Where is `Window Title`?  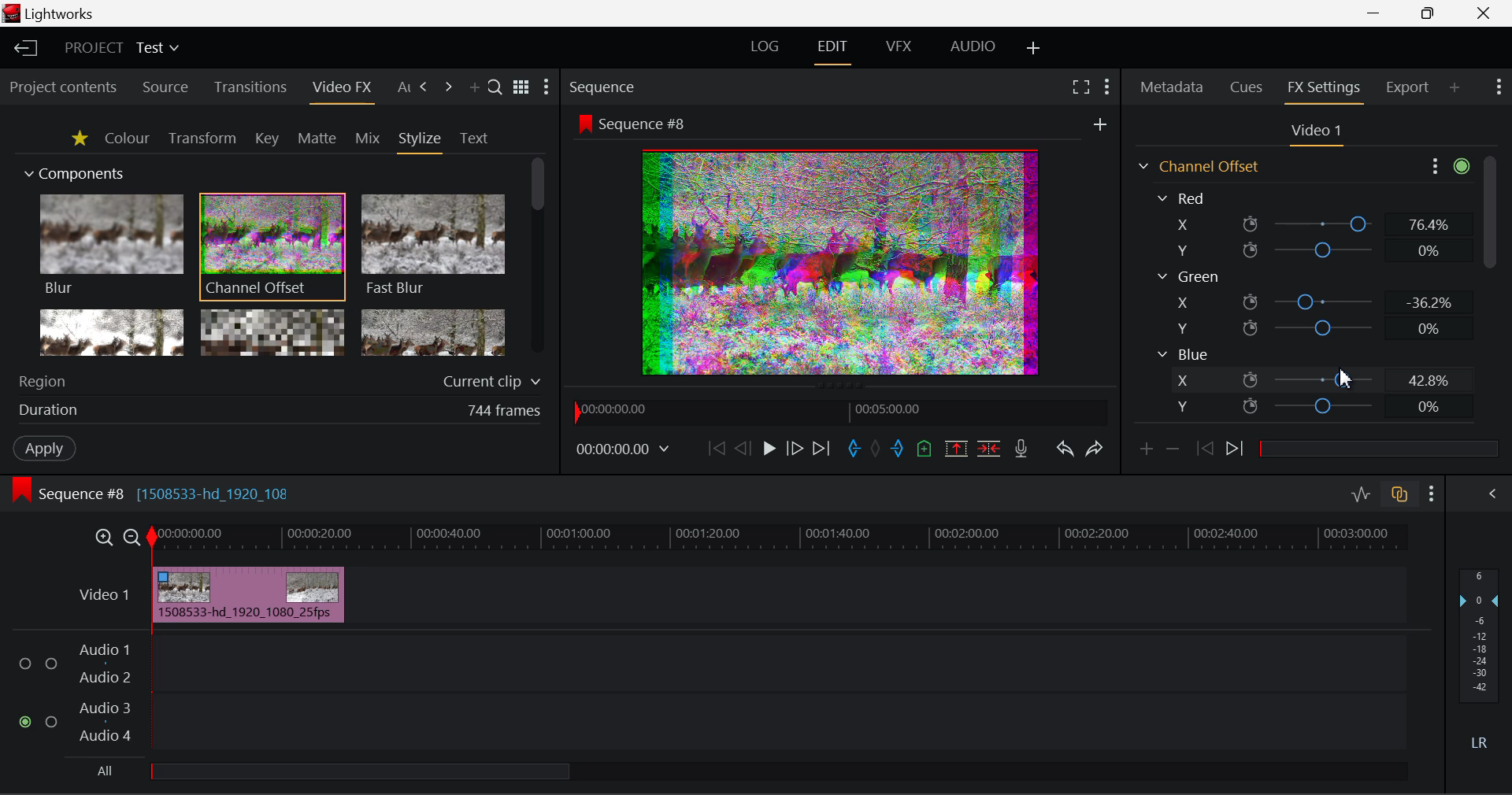
Window Title is located at coordinates (60, 14).